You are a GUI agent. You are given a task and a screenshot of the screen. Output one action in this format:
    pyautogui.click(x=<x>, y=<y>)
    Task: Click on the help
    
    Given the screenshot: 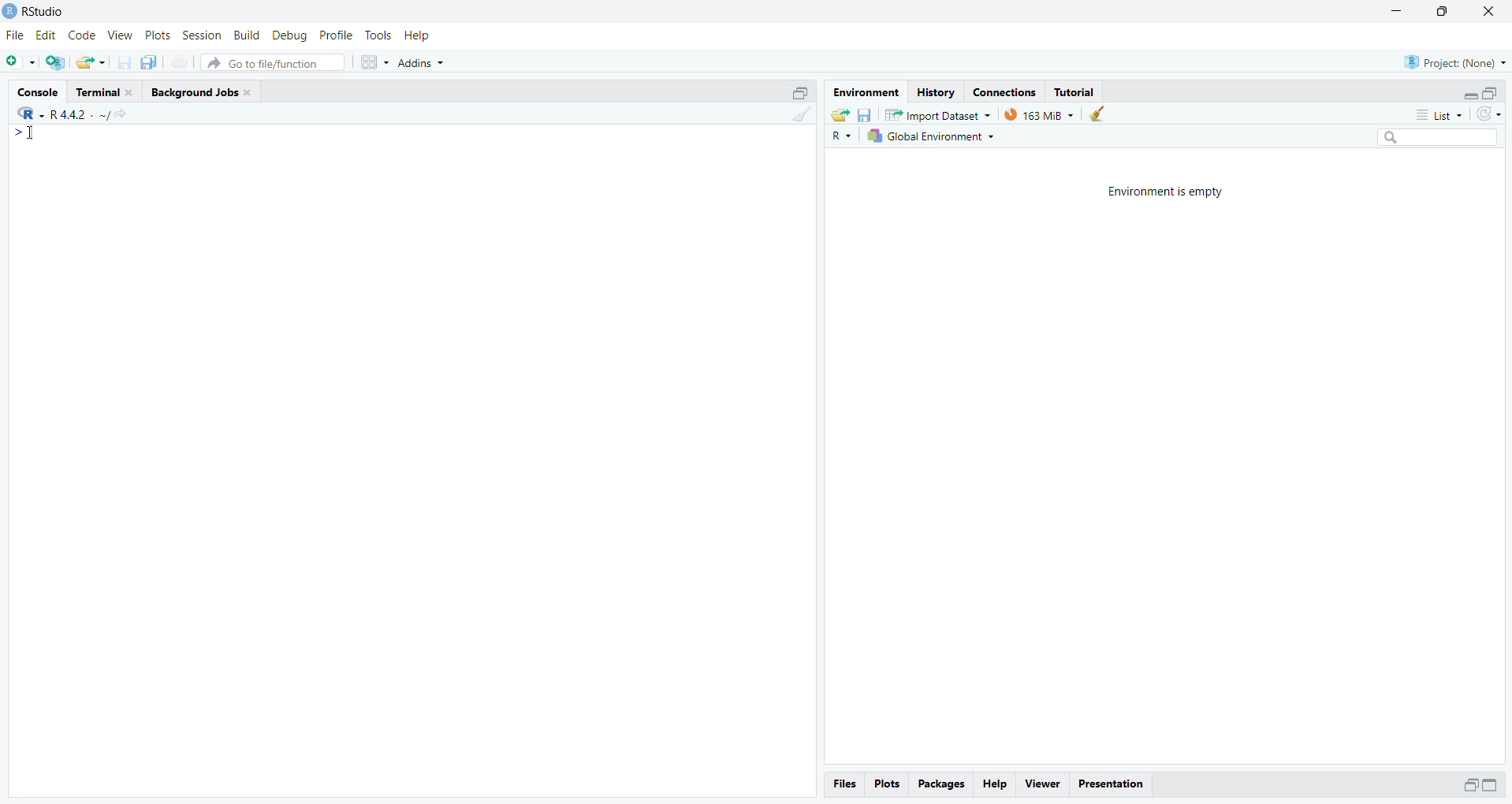 What is the action you would take?
    pyautogui.click(x=417, y=35)
    